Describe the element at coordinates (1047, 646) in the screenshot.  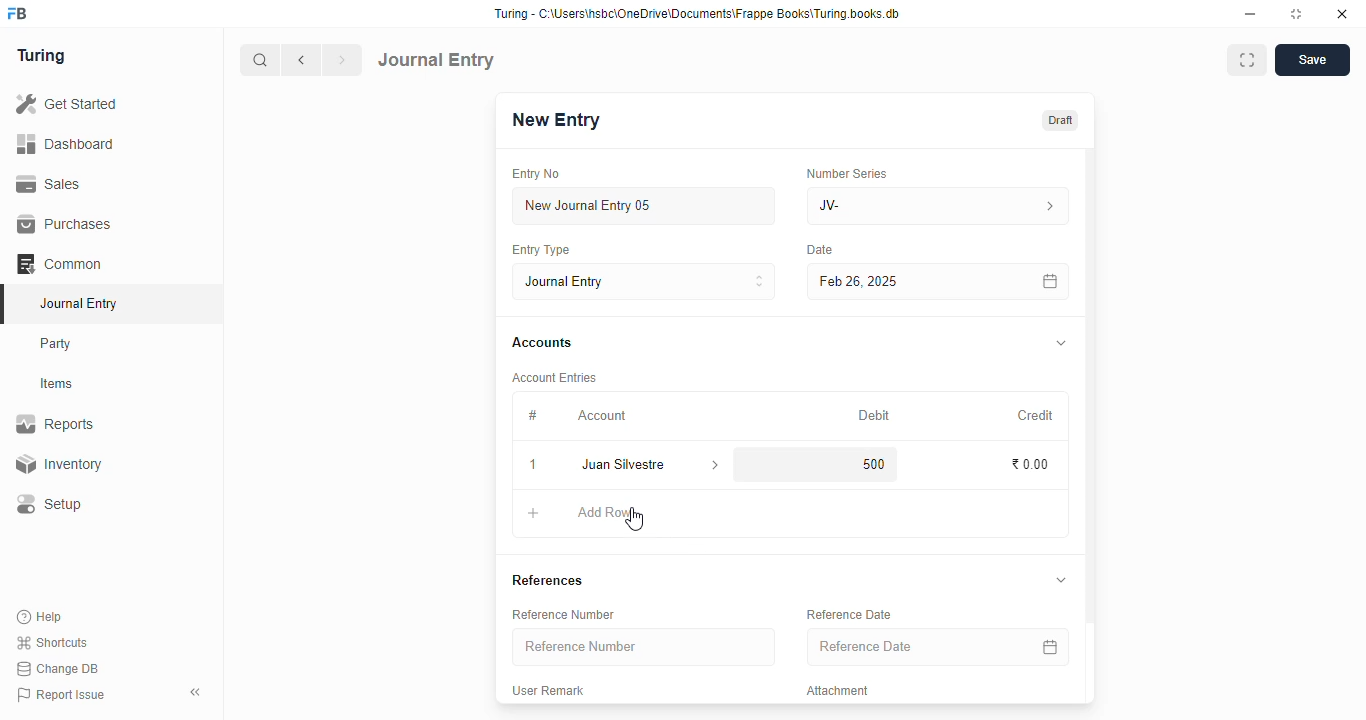
I see `calendar icon` at that location.